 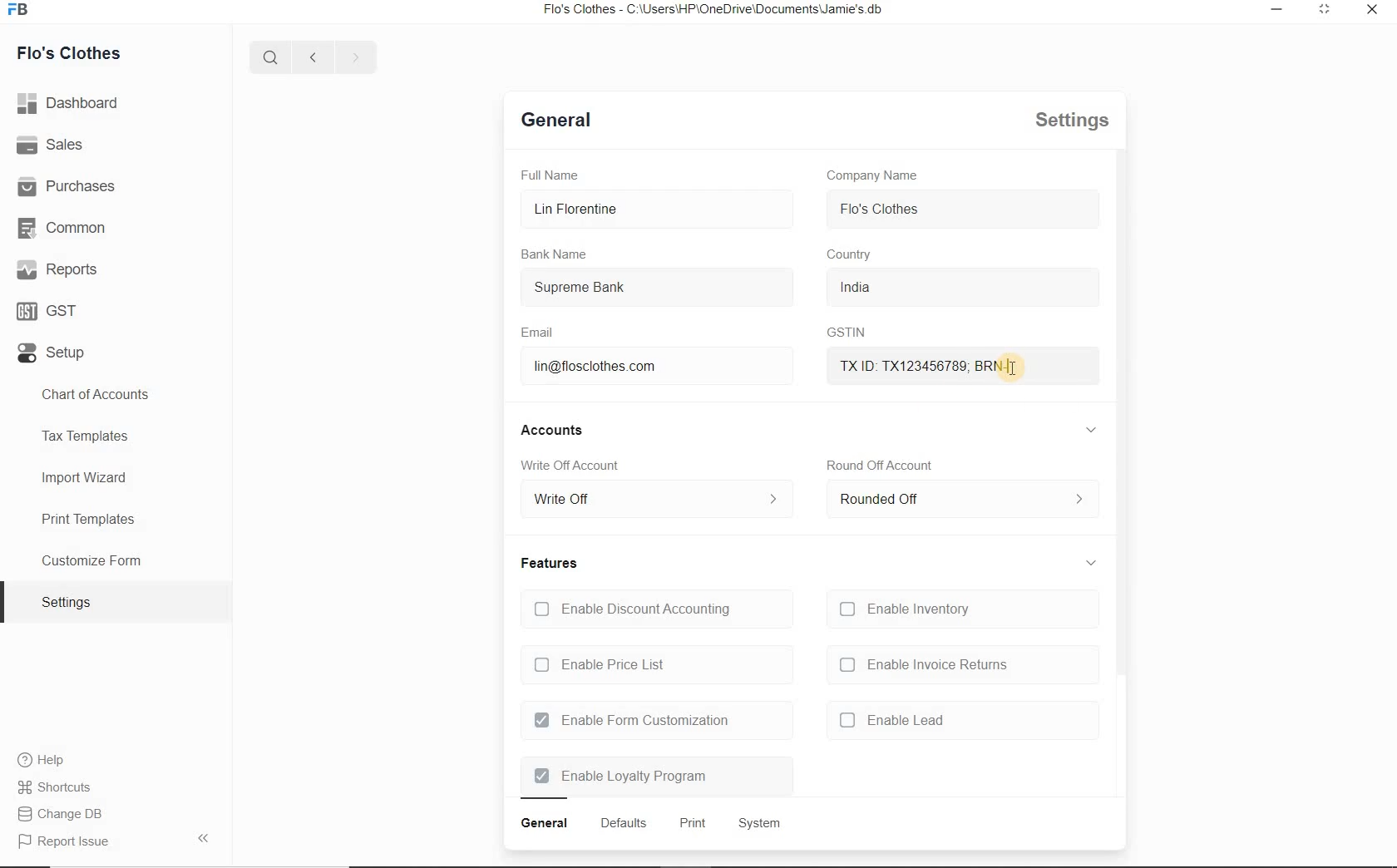 I want to click on Tax Templates, so click(x=87, y=437).